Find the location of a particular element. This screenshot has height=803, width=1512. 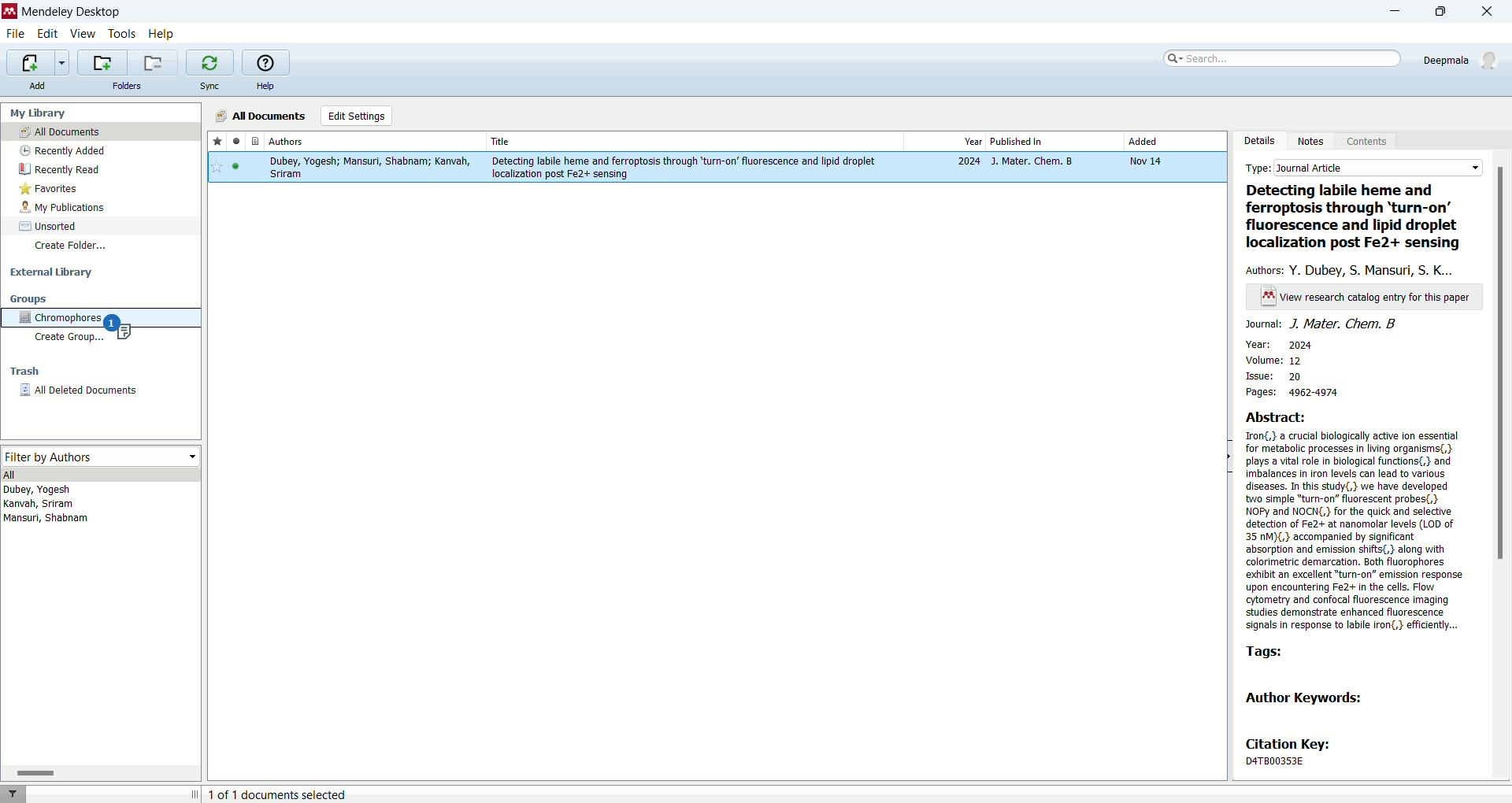

tags is located at coordinates (1264, 652).